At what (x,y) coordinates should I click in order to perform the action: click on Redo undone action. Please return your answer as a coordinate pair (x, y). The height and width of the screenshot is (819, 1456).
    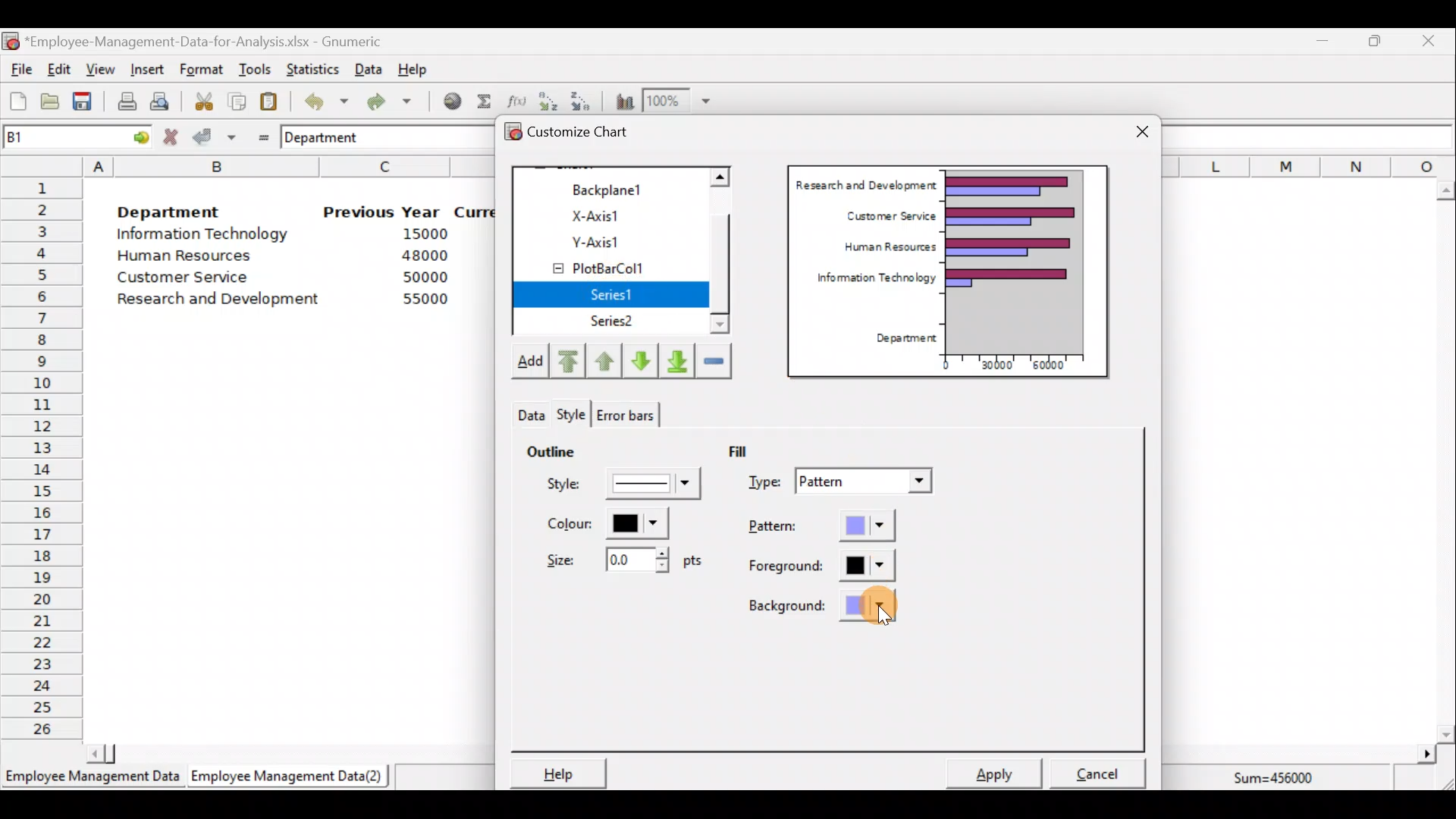
    Looking at the image, I should click on (386, 102).